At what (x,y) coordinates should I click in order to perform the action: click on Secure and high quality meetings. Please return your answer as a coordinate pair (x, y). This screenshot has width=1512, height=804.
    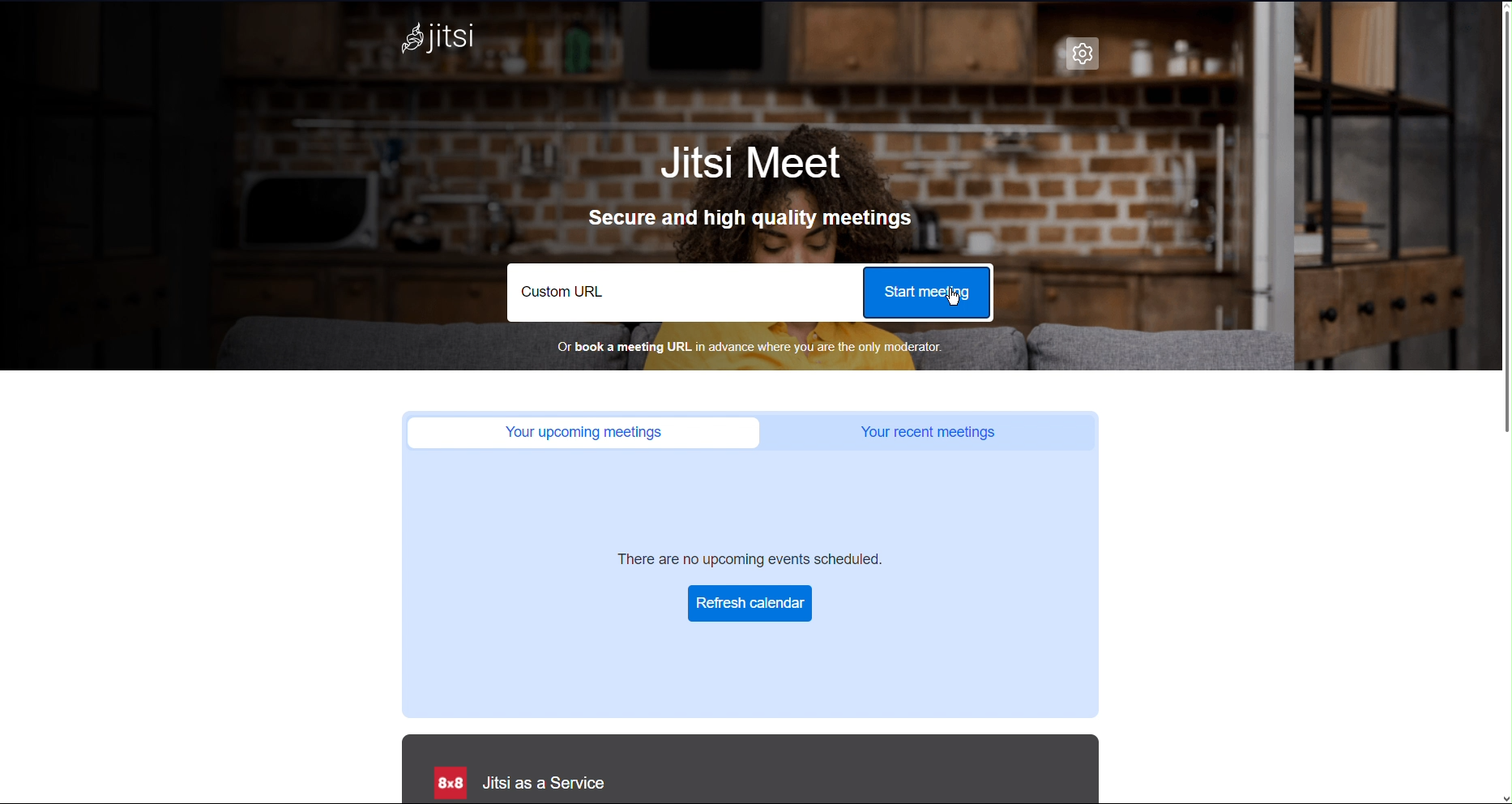
    Looking at the image, I should click on (742, 217).